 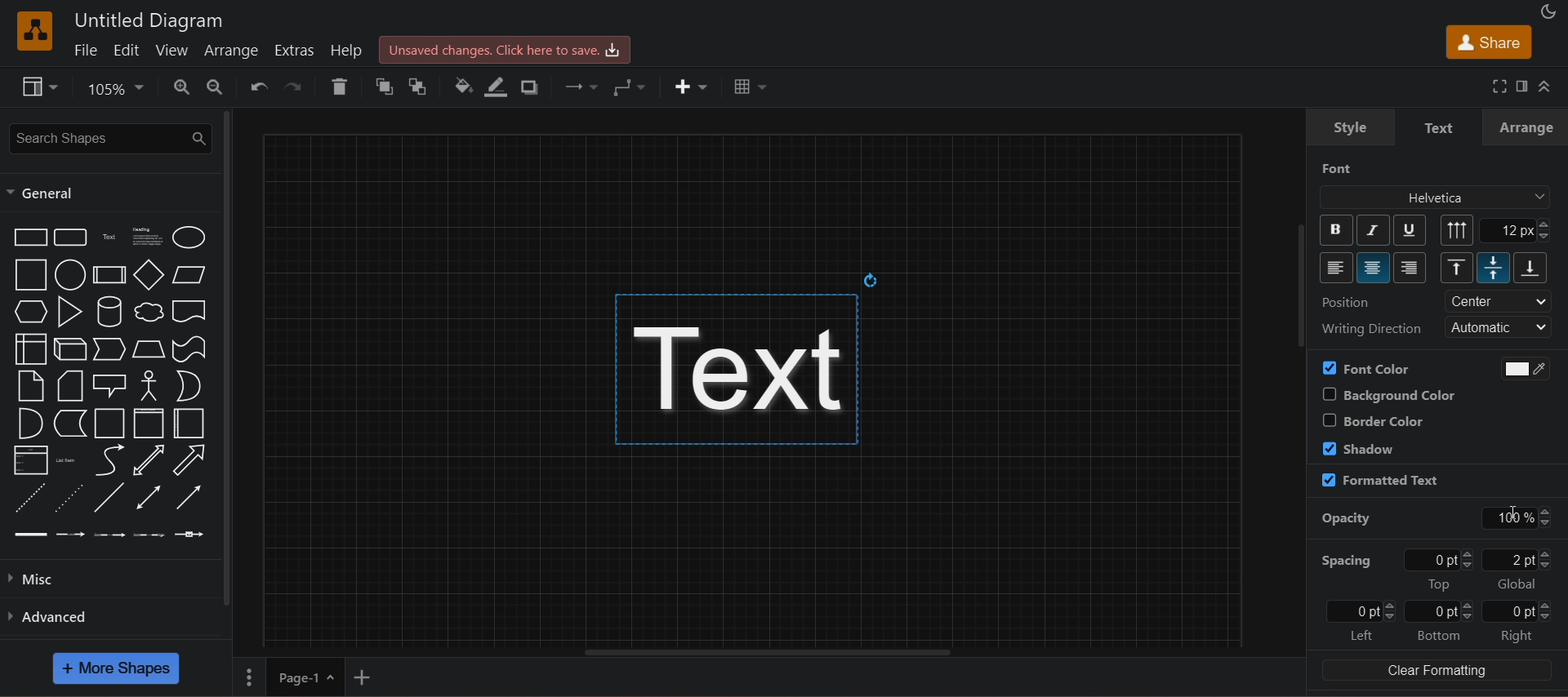 What do you see at coordinates (190, 275) in the screenshot?
I see `parallelogram` at bounding box center [190, 275].